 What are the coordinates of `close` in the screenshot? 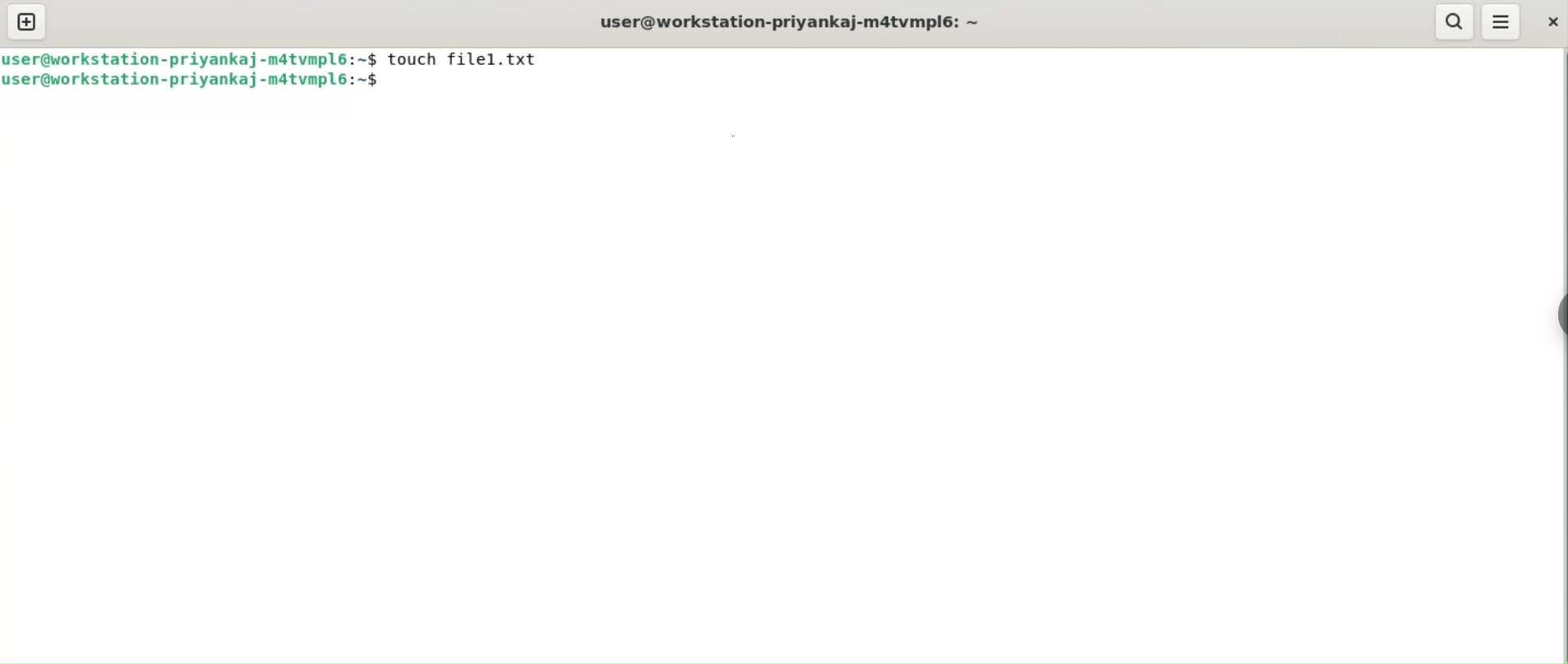 It's located at (1554, 24).